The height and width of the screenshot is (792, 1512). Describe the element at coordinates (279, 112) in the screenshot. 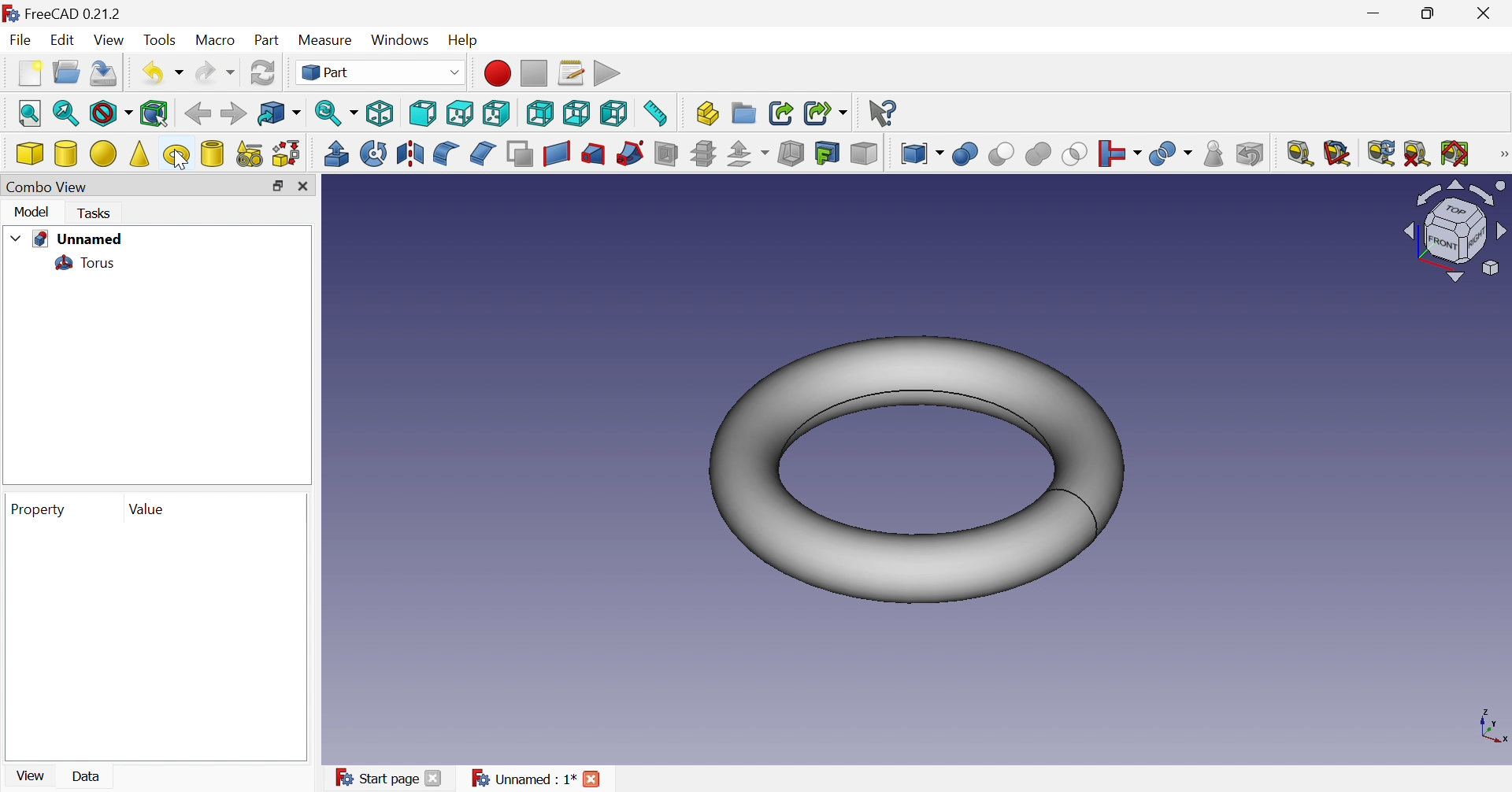

I see `Go to linked object` at that location.